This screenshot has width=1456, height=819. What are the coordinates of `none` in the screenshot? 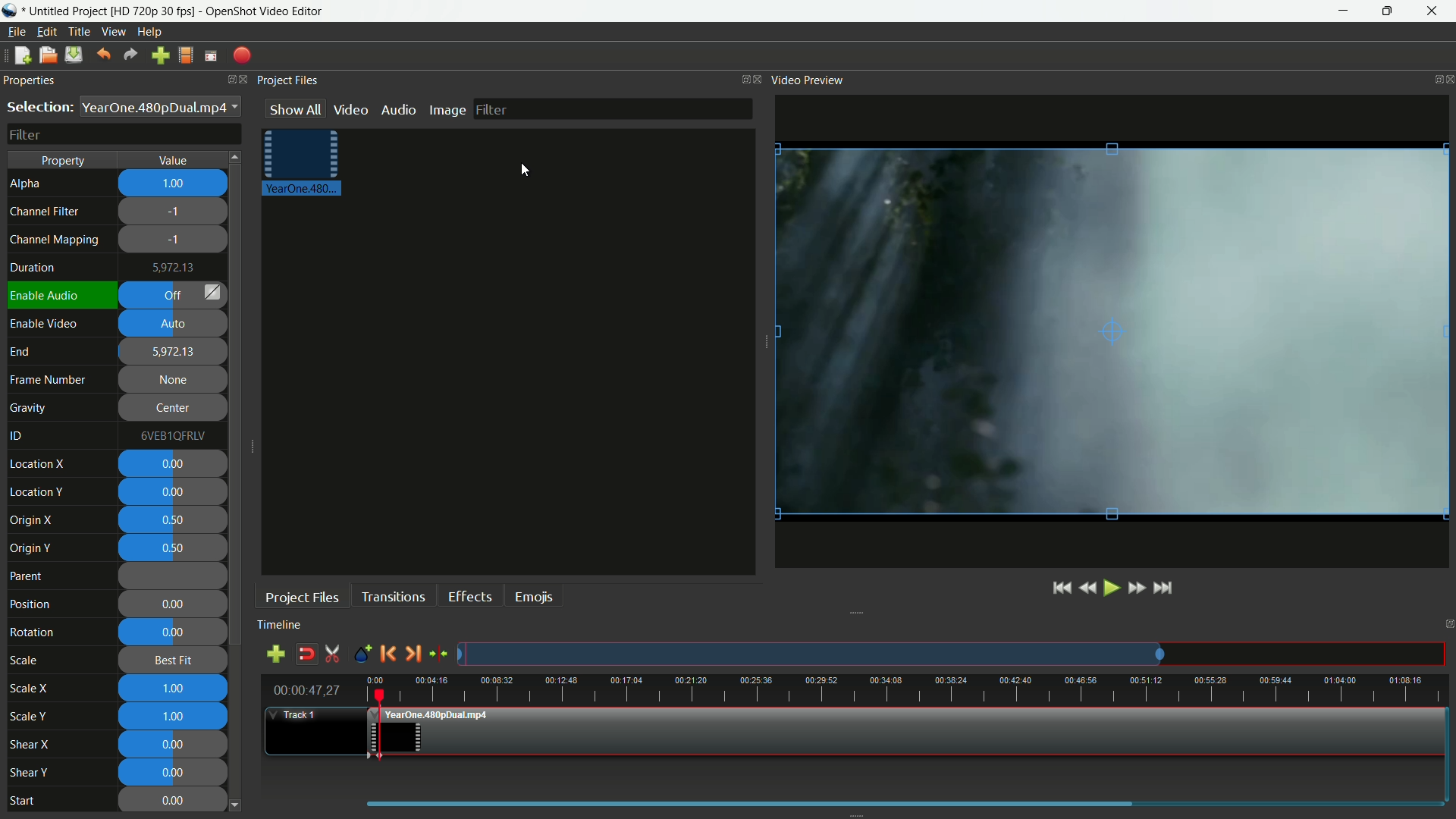 It's located at (174, 381).